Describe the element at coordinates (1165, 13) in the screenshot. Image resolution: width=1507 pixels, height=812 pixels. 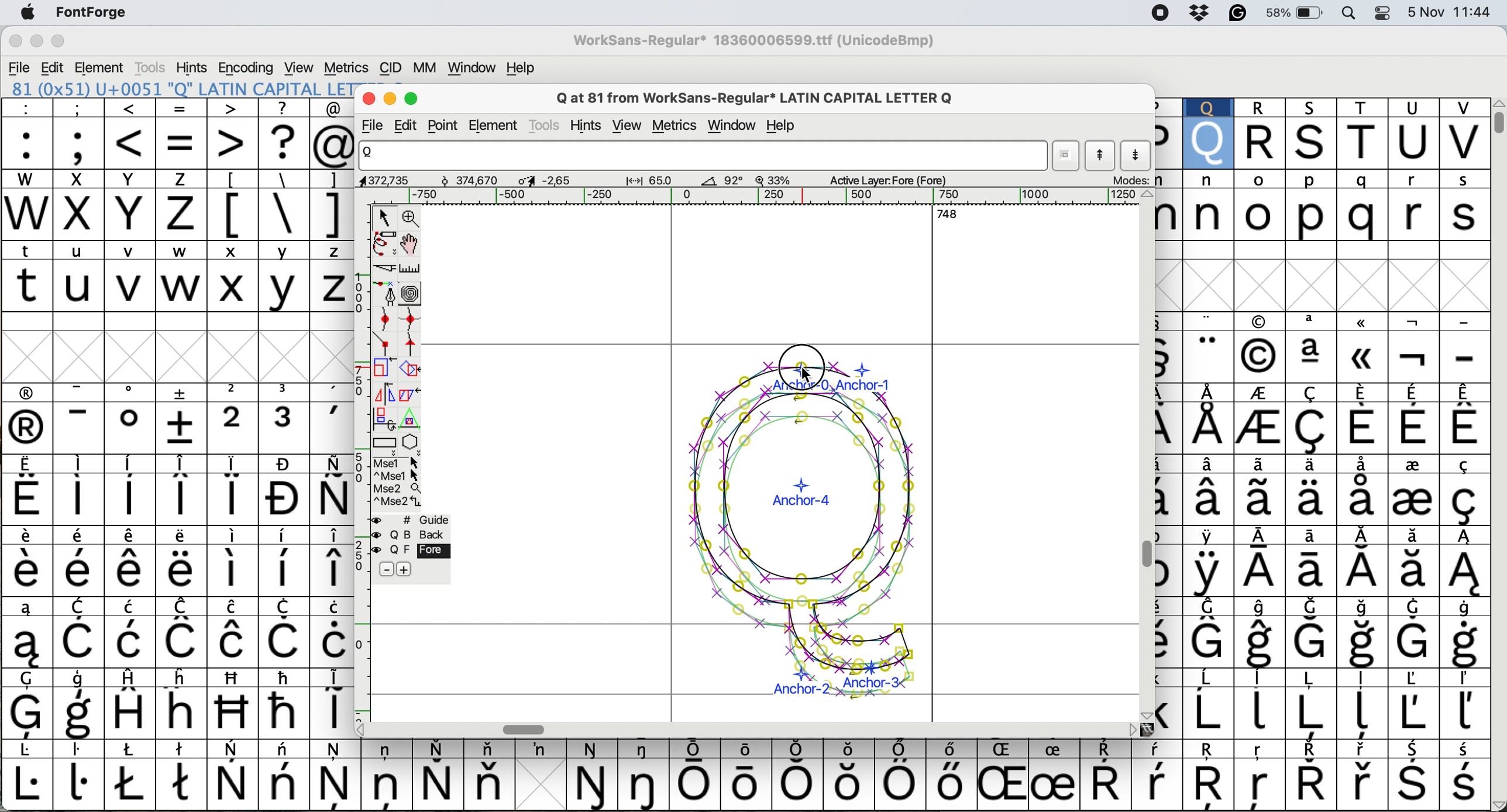
I see `screen recorder` at that location.